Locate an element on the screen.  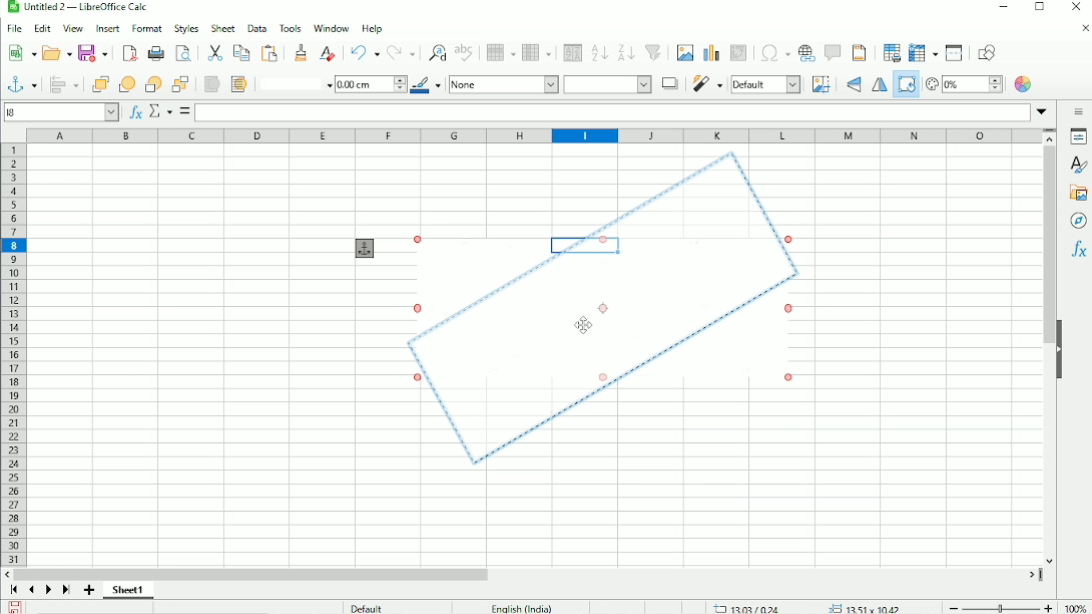
Freeze rows and columns is located at coordinates (923, 53).